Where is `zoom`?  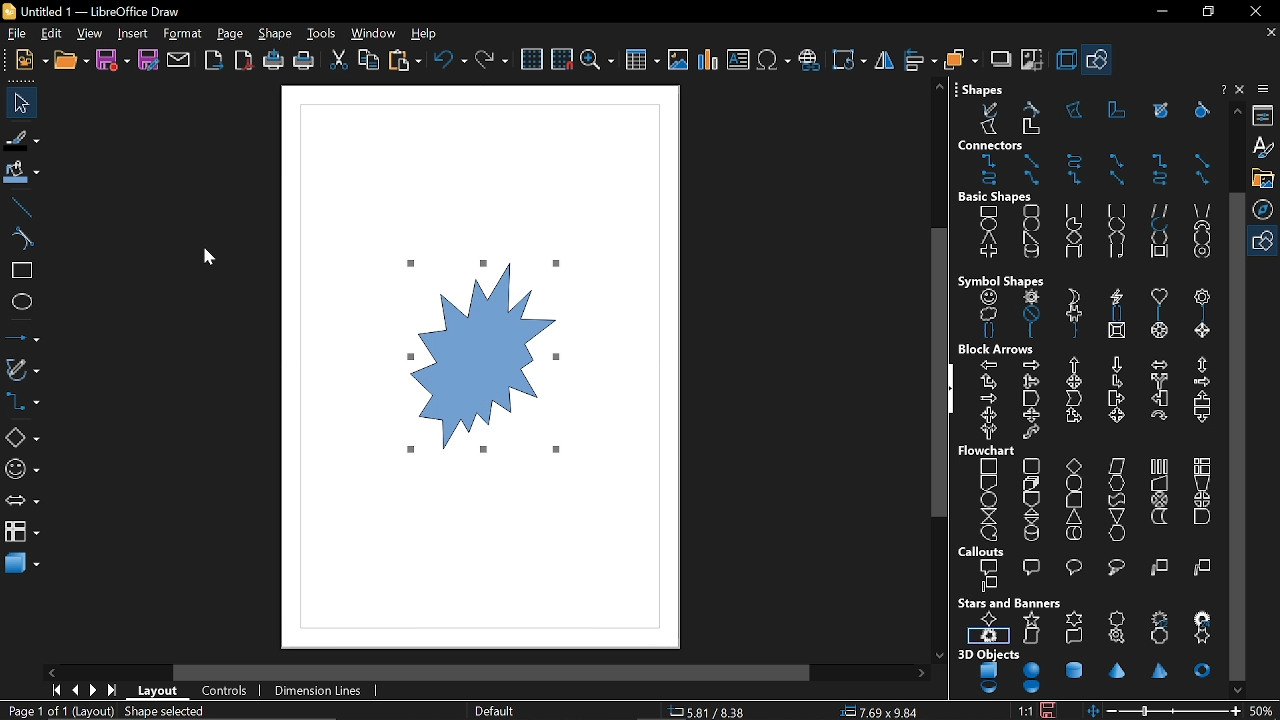
zoom is located at coordinates (597, 61).